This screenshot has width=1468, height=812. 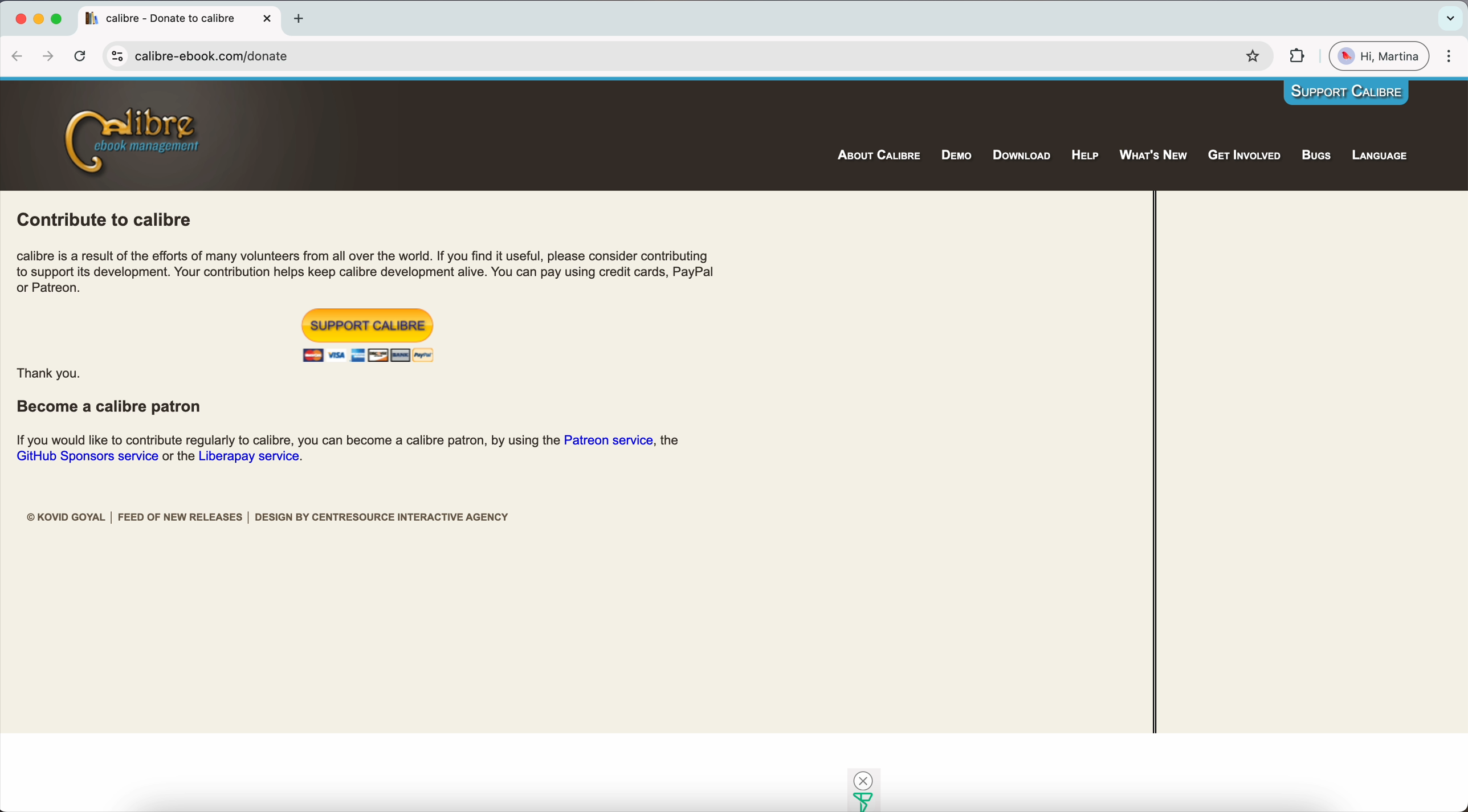 I want to click on About Calibre, so click(x=878, y=155).